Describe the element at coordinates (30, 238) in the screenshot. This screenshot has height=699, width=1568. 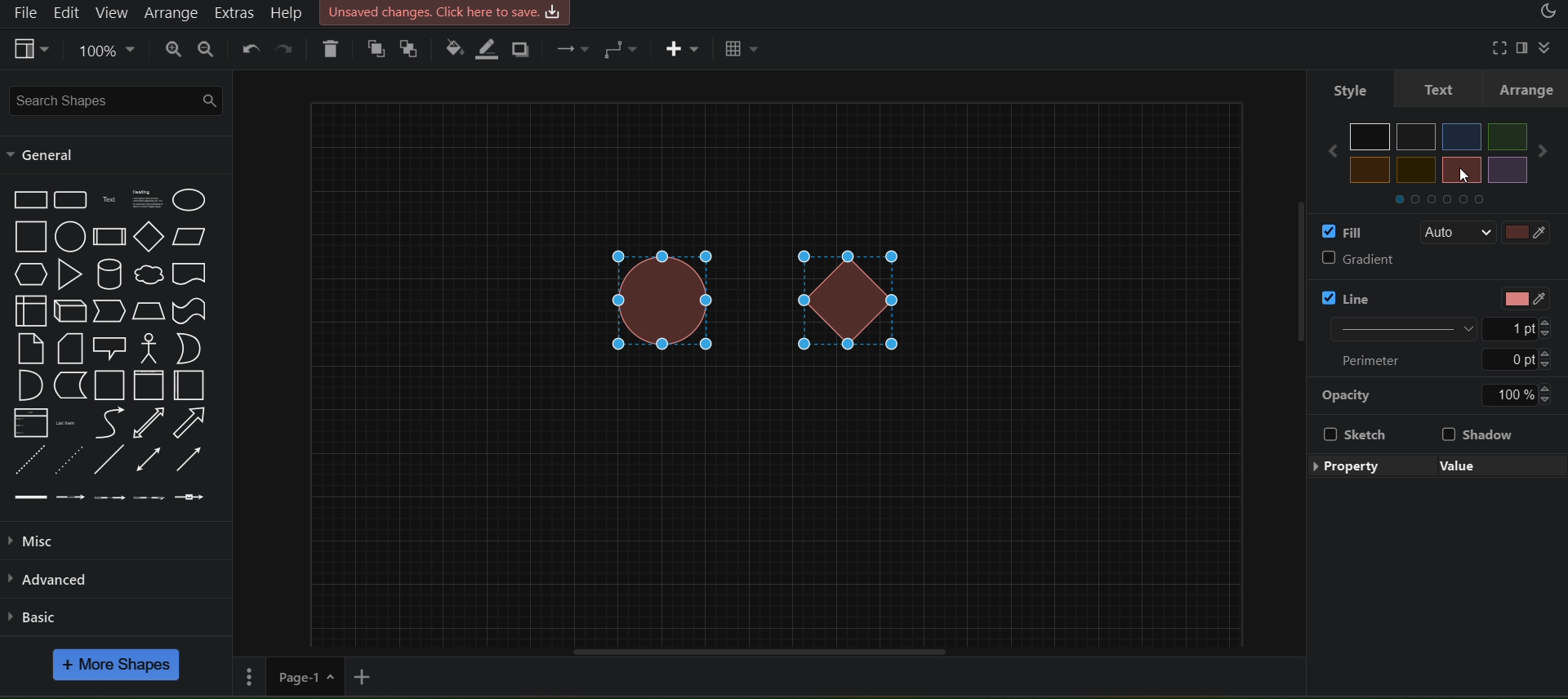
I see `Square` at that location.